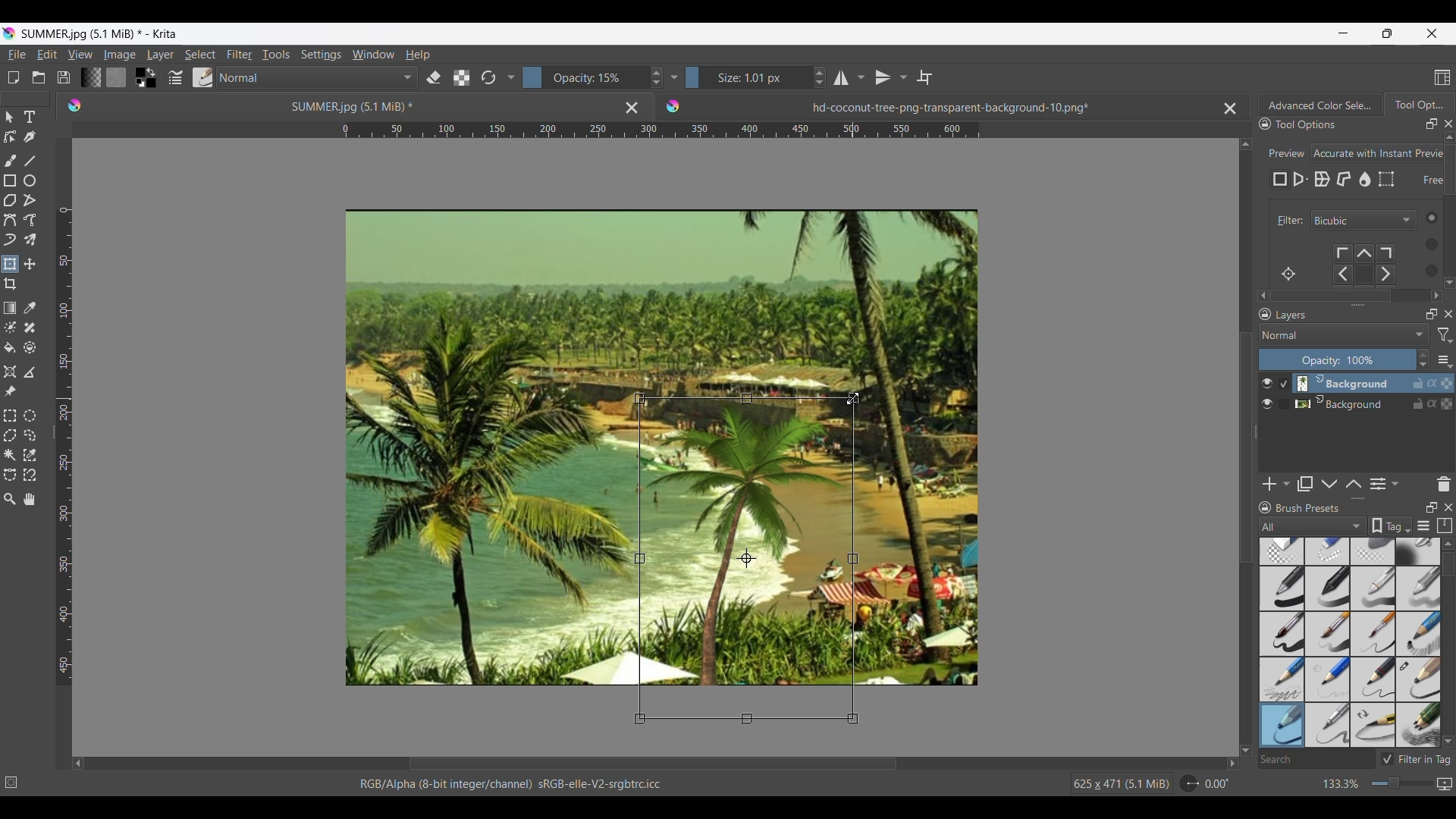  I want to click on Fill patterns, so click(116, 77).